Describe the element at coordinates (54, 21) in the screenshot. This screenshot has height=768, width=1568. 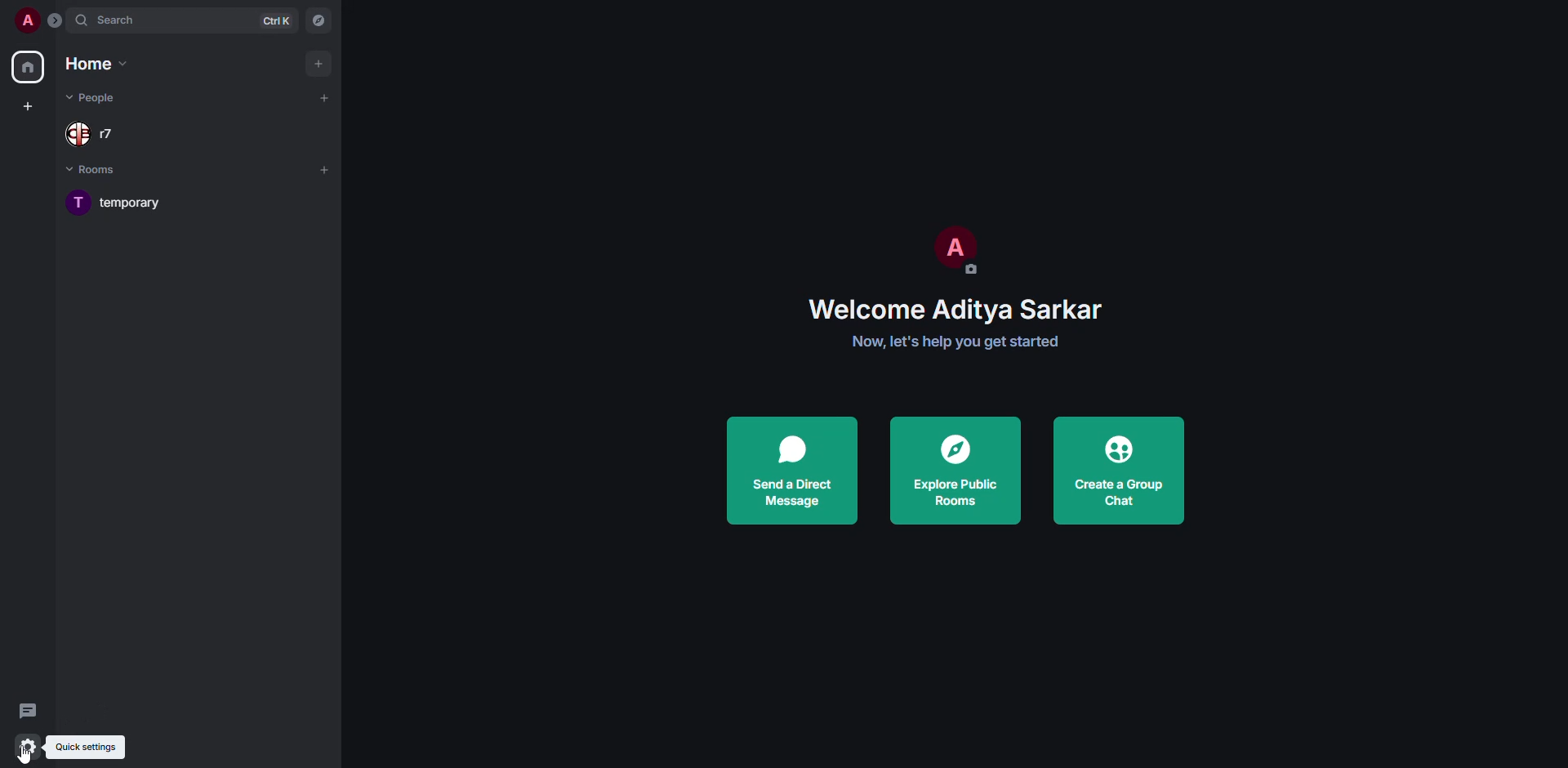
I see `expand` at that location.